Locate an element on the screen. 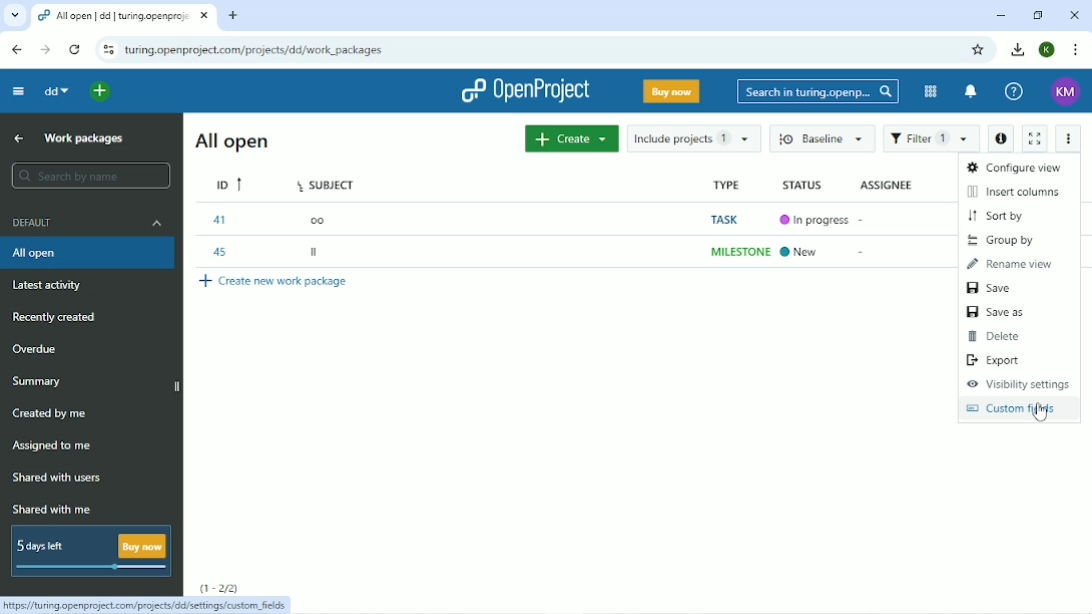  Custom fields is located at coordinates (1014, 410).